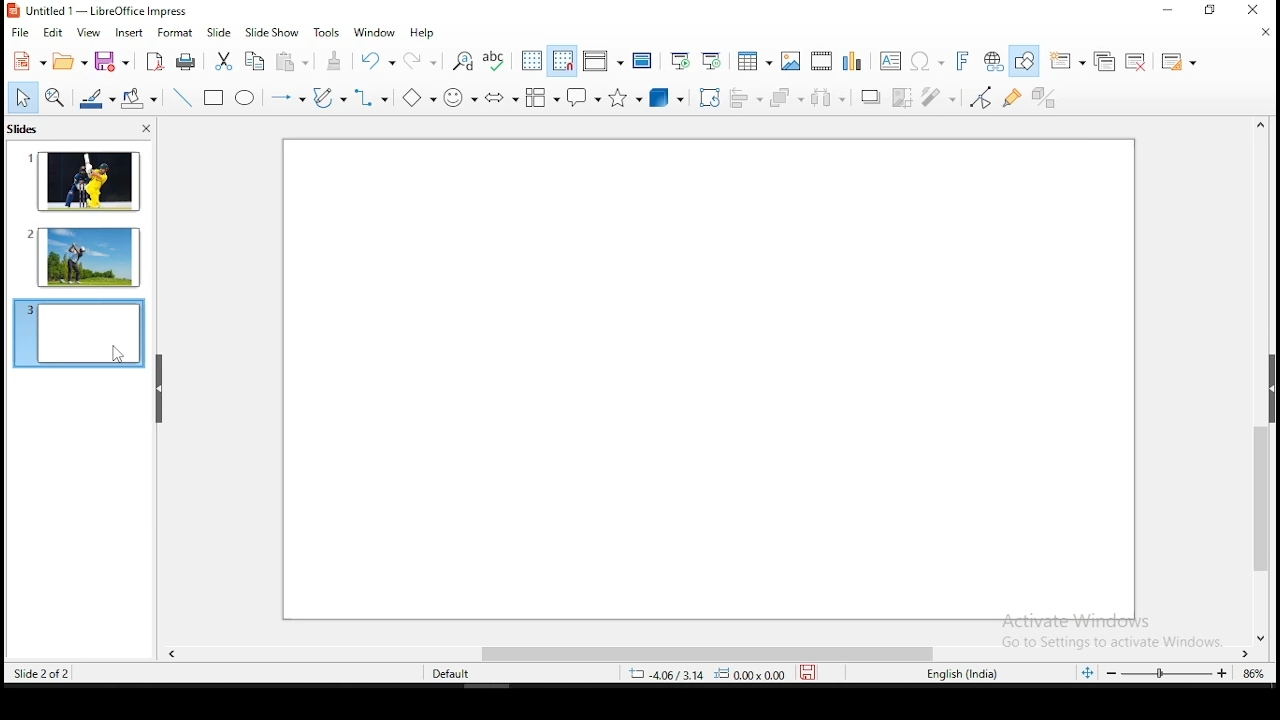  Describe the element at coordinates (452, 675) in the screenshot. I see `default` at that location.